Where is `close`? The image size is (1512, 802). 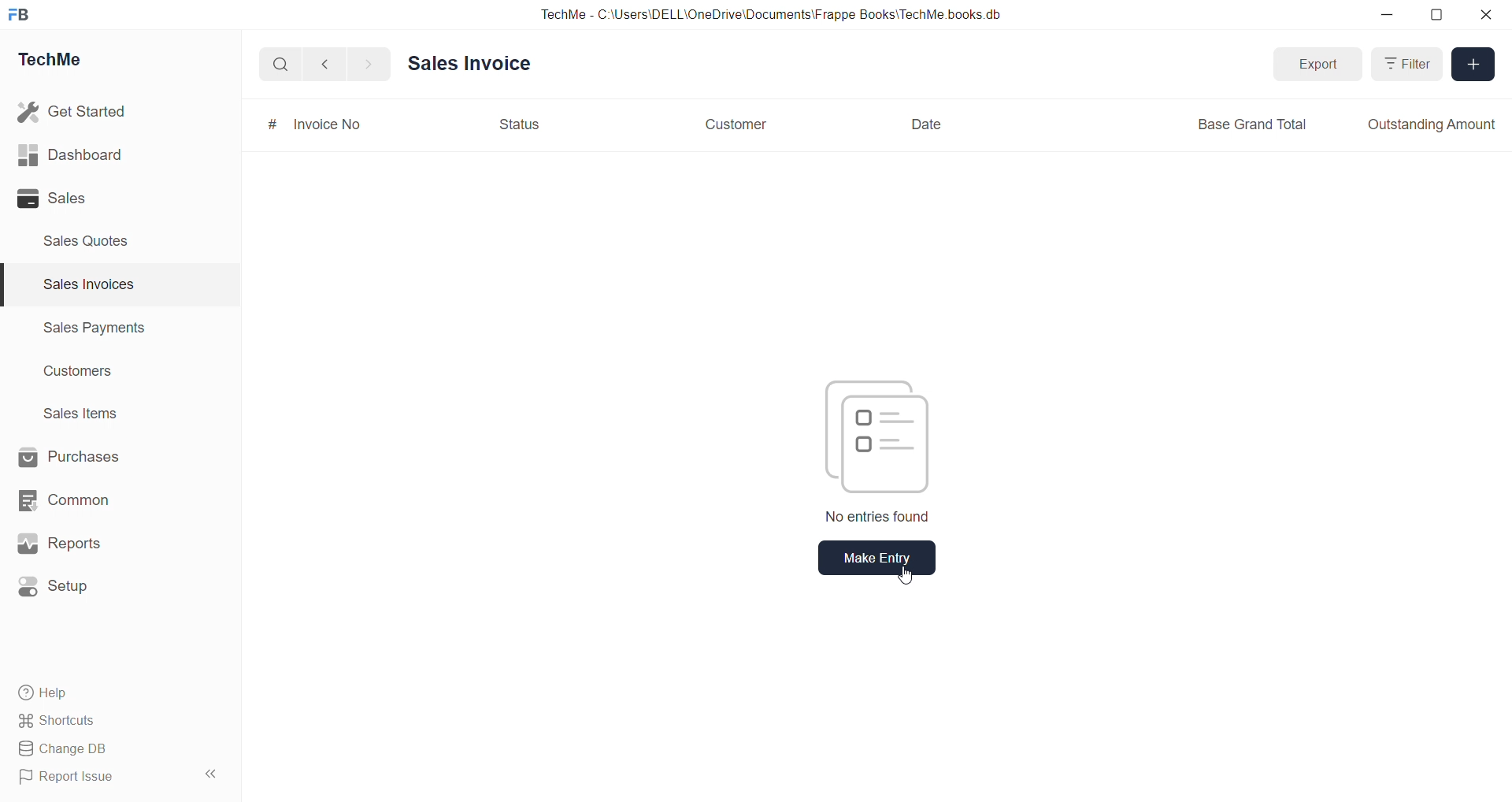
close is located at coordinates (1487, 14).